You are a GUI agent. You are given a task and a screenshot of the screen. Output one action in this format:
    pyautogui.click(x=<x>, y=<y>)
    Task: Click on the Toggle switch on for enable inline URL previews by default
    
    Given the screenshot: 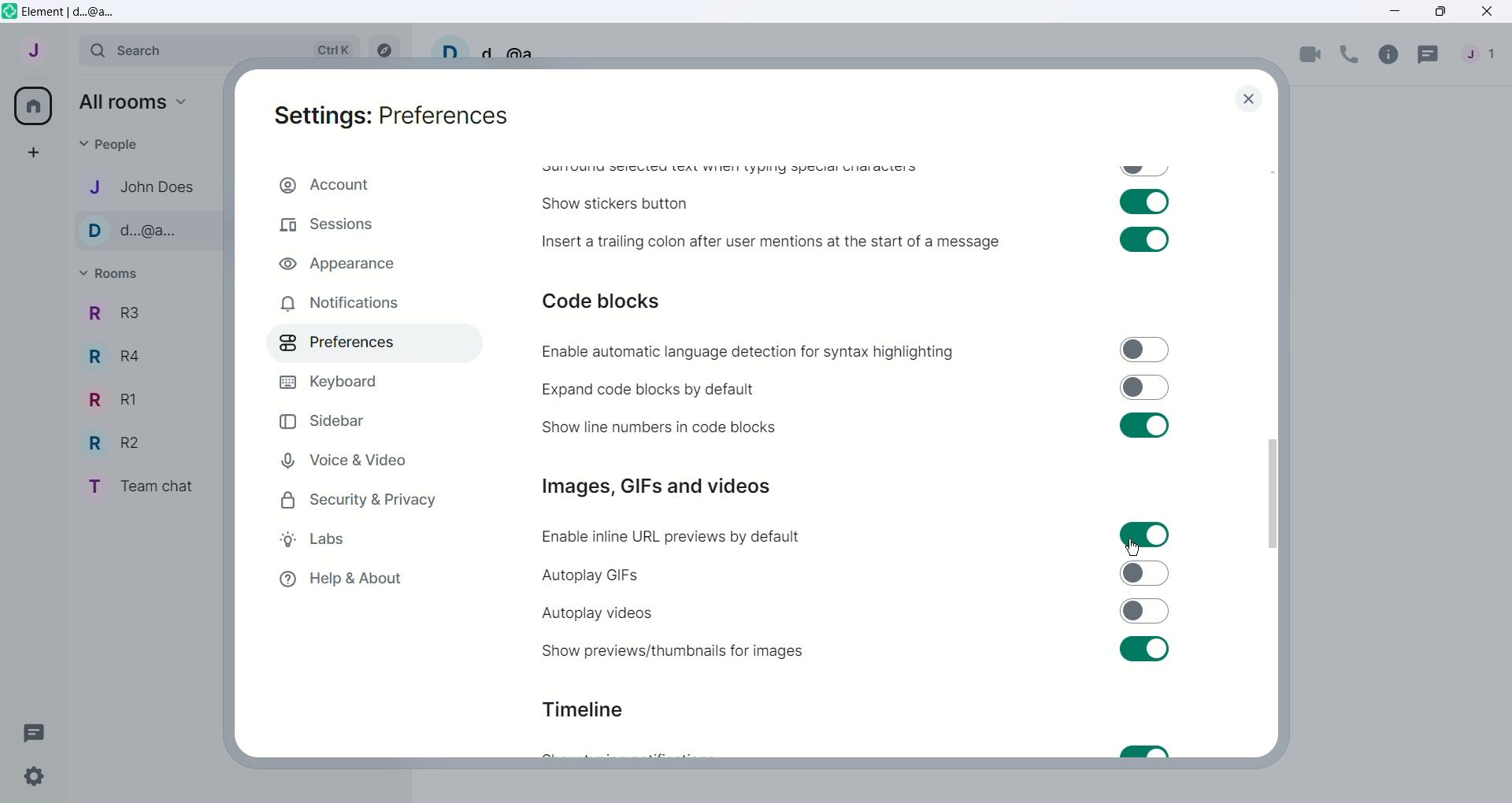 What is the action you would take?
    pyautogui.click(x=1145, y=534)
    